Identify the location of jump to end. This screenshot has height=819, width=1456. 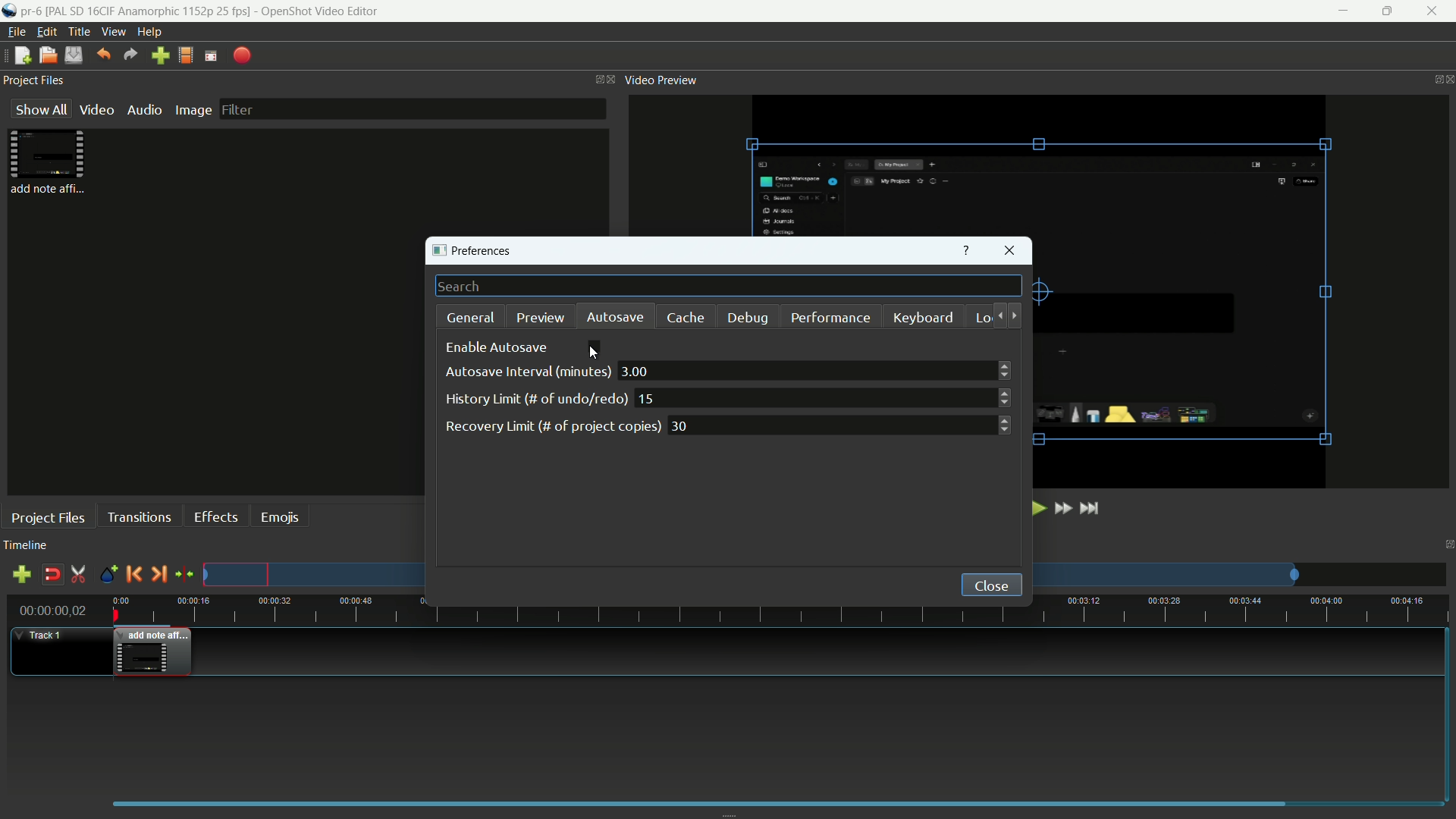
(1093, 508).